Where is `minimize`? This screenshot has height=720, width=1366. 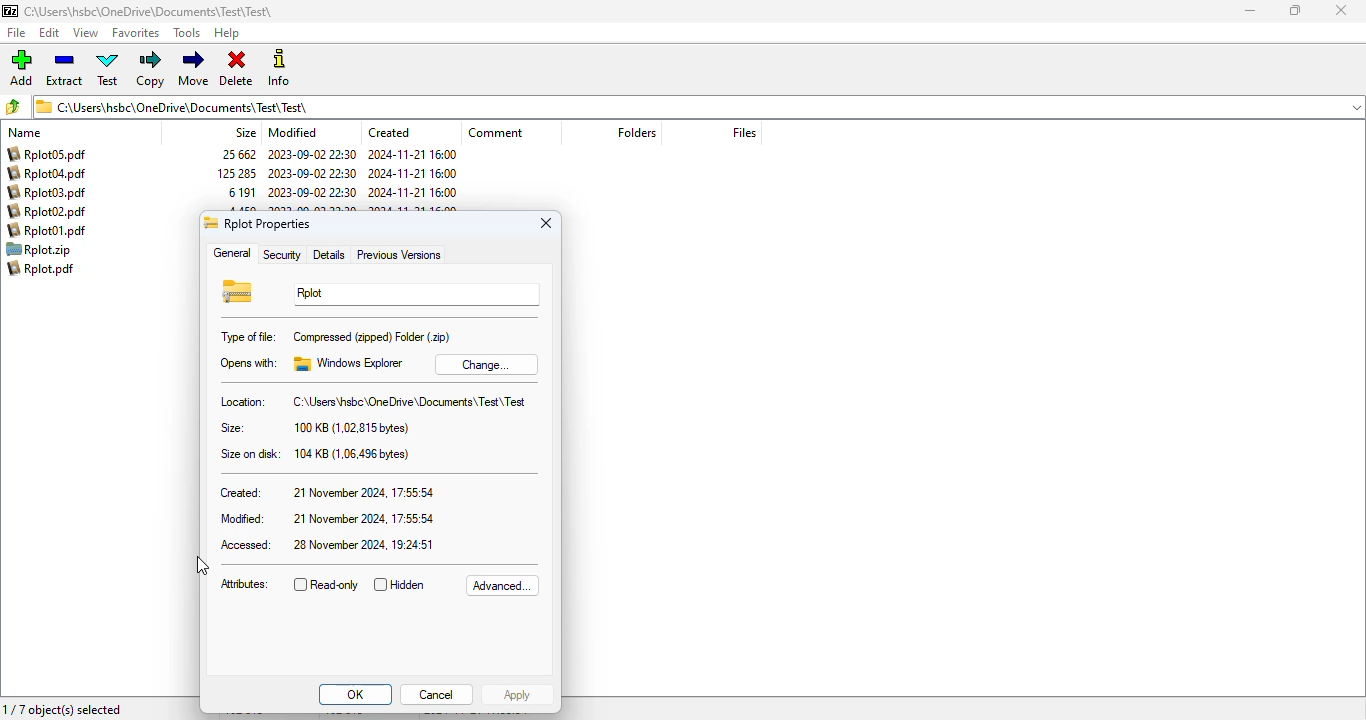 minimize is located at coordinates (1250, 11).